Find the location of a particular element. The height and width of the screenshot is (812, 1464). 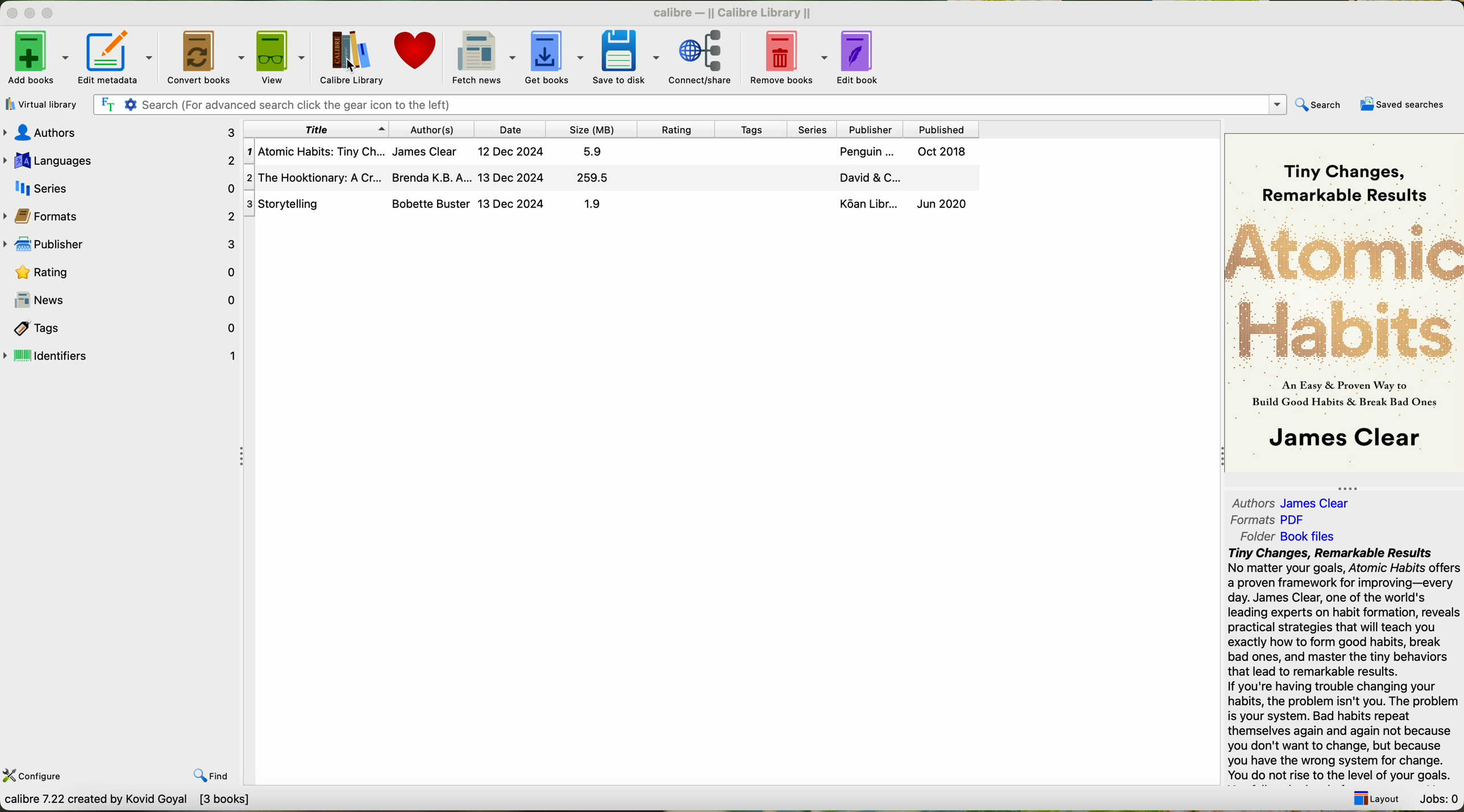

date is located at coordinates (513, 129).